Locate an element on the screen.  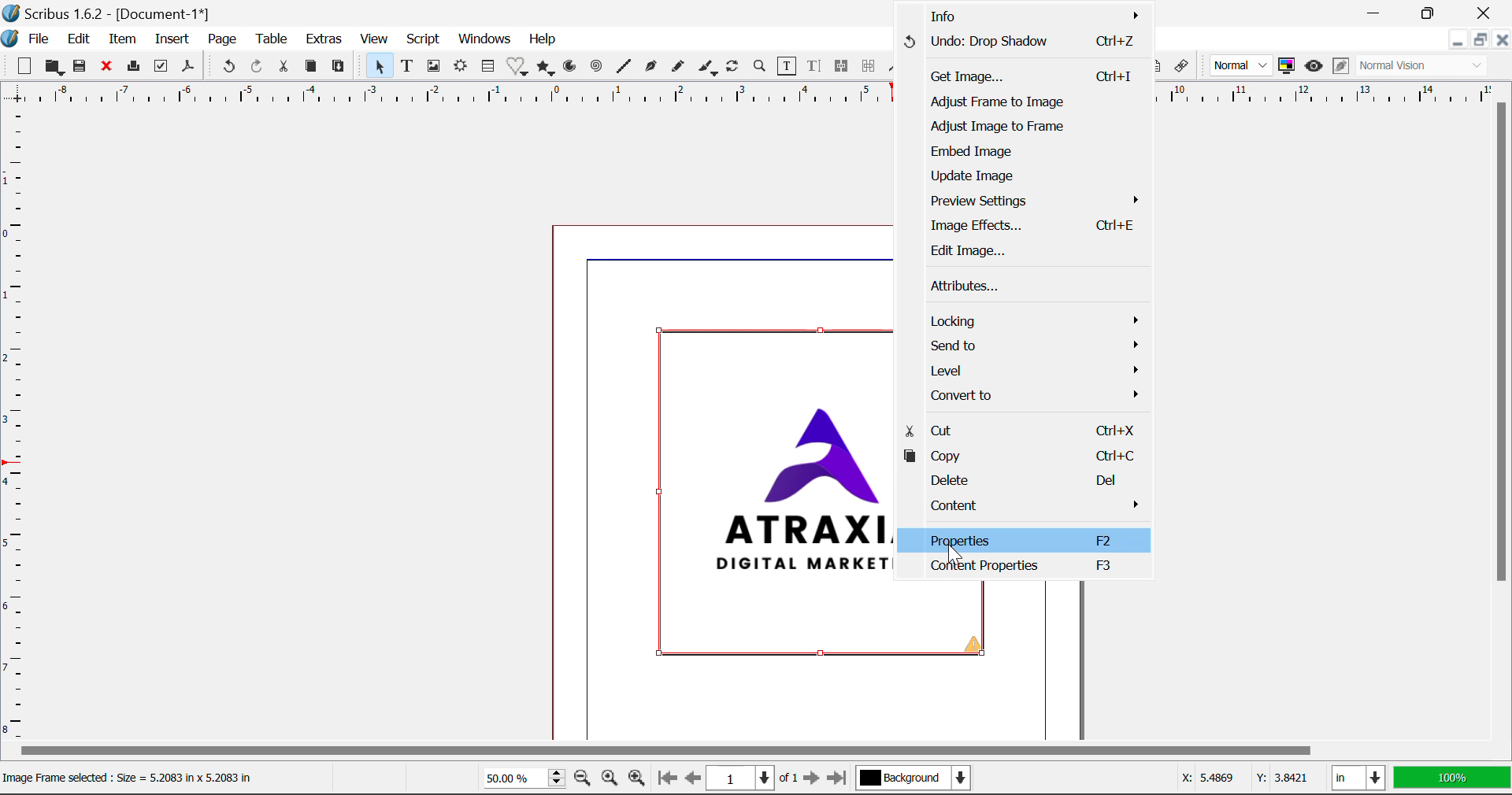
Zoom in is located at coordinates (638, 779).